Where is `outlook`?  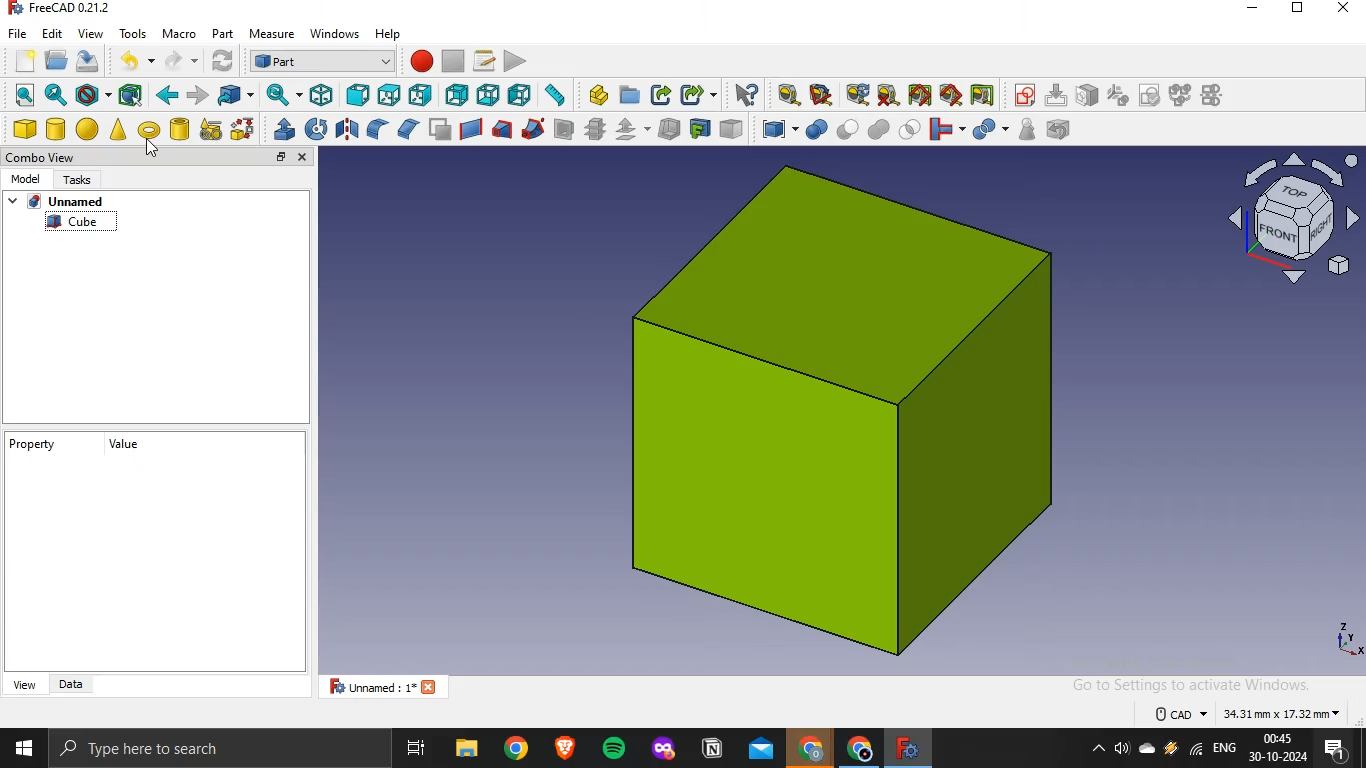
outlook is located at coordinates (762, 748).